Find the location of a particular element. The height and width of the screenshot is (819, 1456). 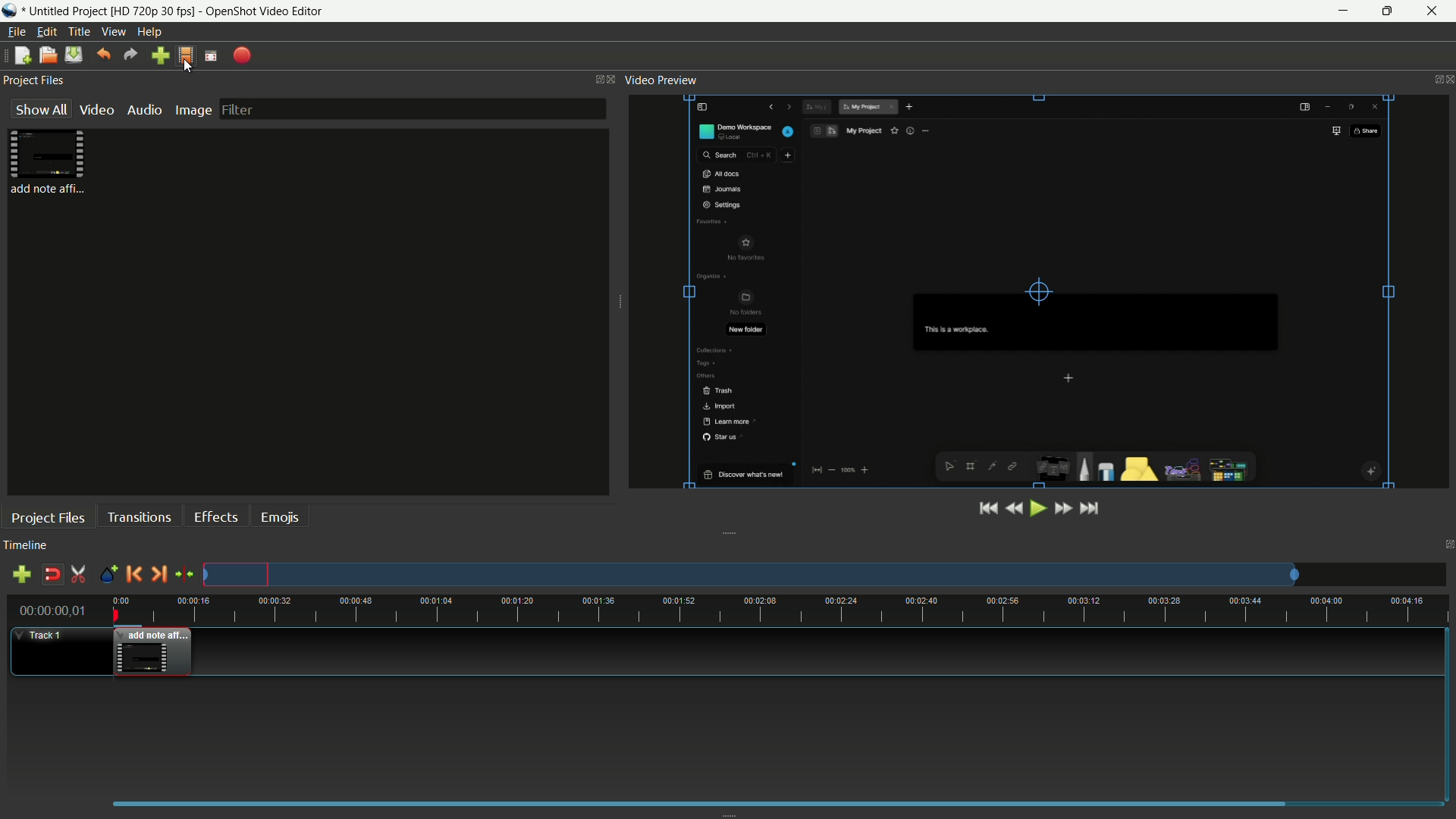

app name is located at coordinates (264, 11).